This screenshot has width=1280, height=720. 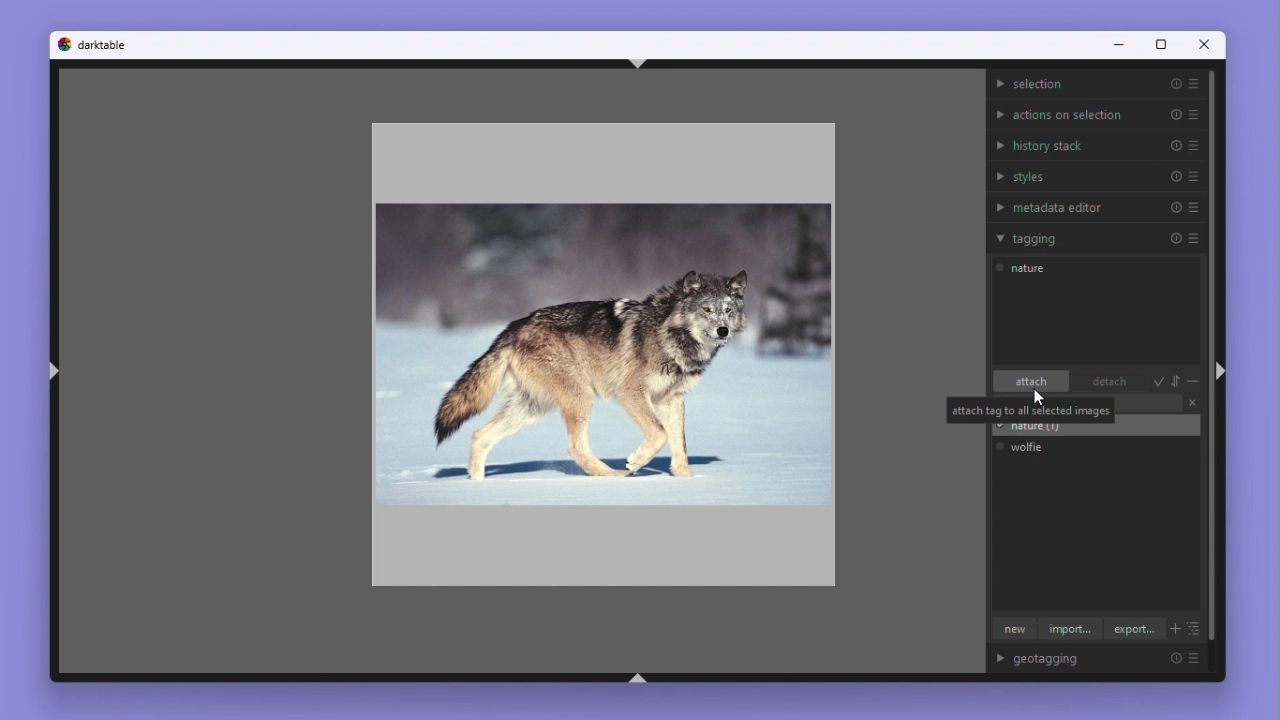 What do you see at coordinates (1096, 84) in the screenshot?
I see `Selection` at bounding box center [1096, 84].